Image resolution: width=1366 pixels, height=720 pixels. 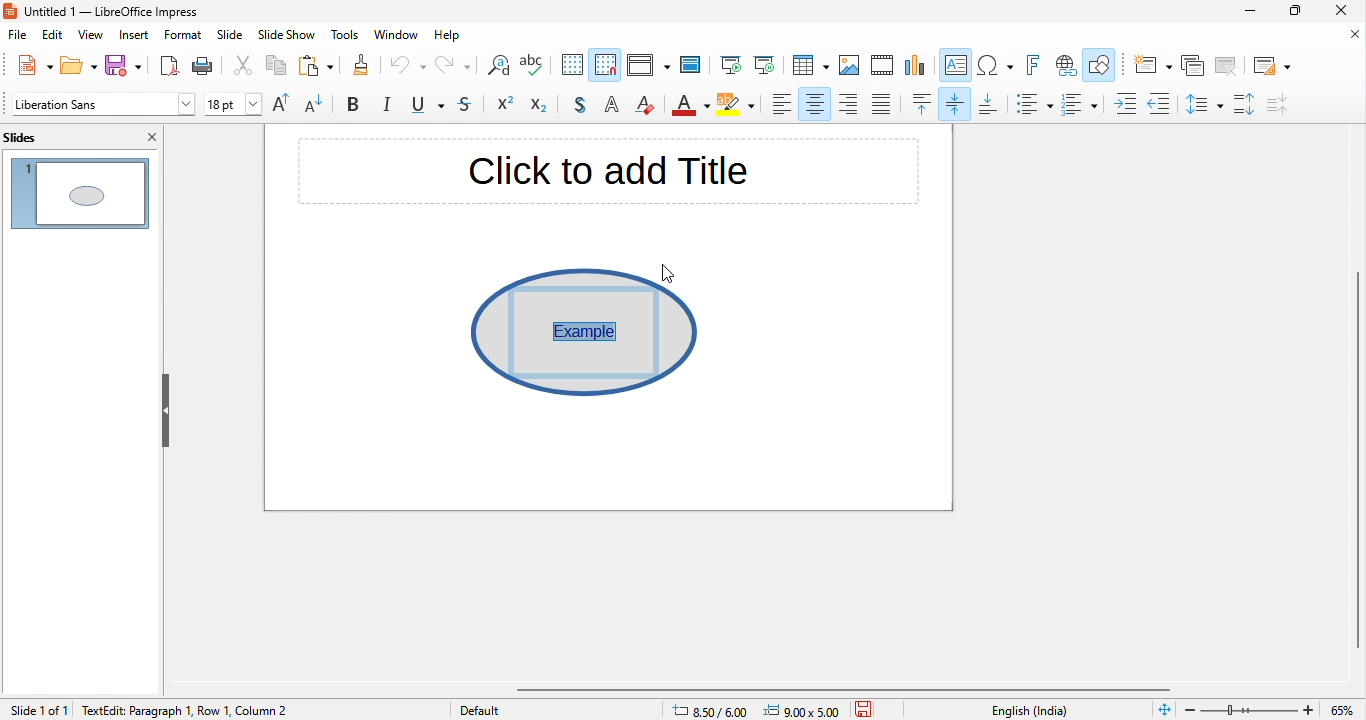 What do you see at coordinates (287, 37) in the screenshot?
I see `slide show` at bounding box center [287, 37].